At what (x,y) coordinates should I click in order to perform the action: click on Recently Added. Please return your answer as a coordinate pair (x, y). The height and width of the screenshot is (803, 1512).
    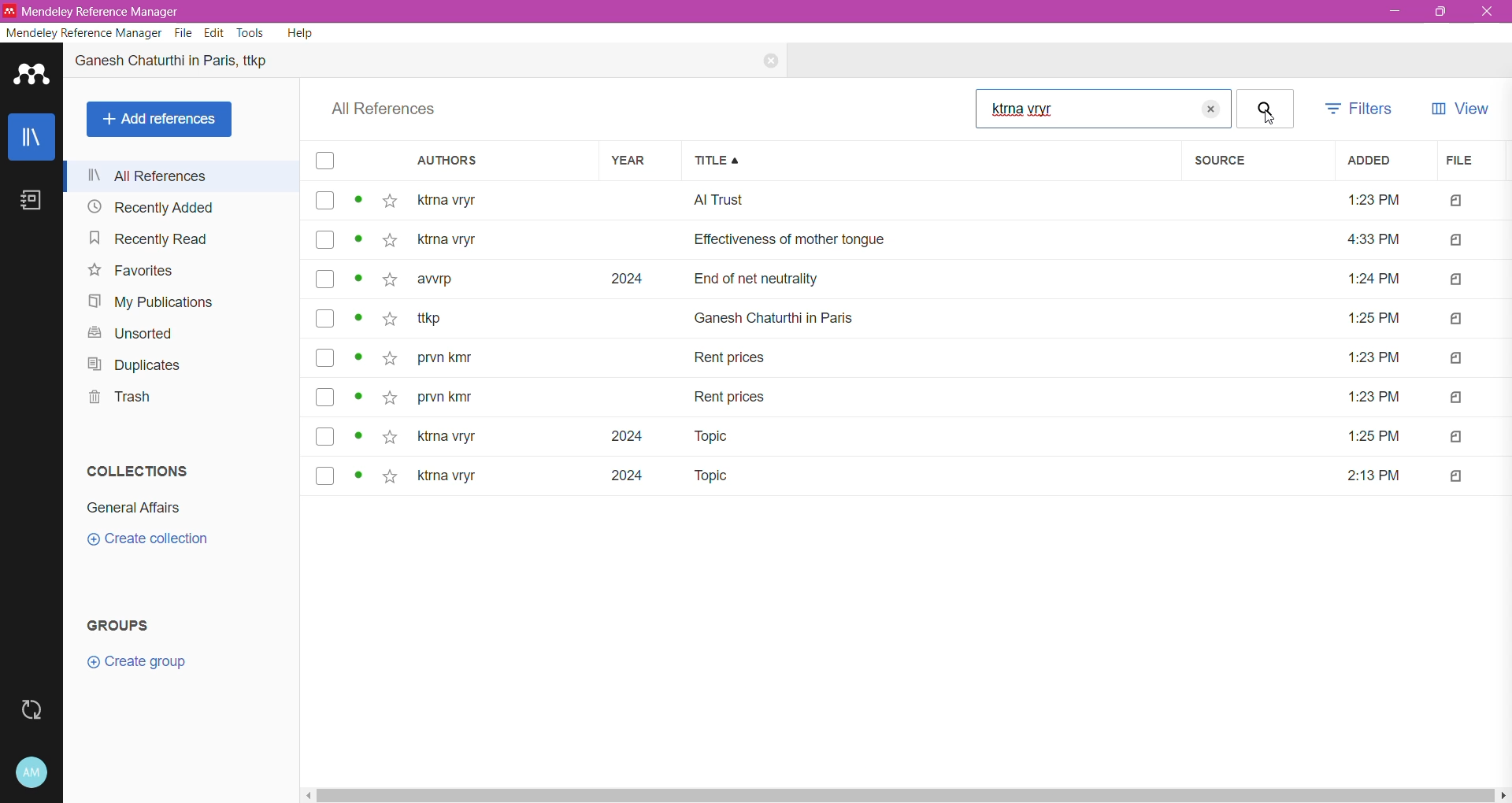
    Looking at the image, I should click on (149, 206).